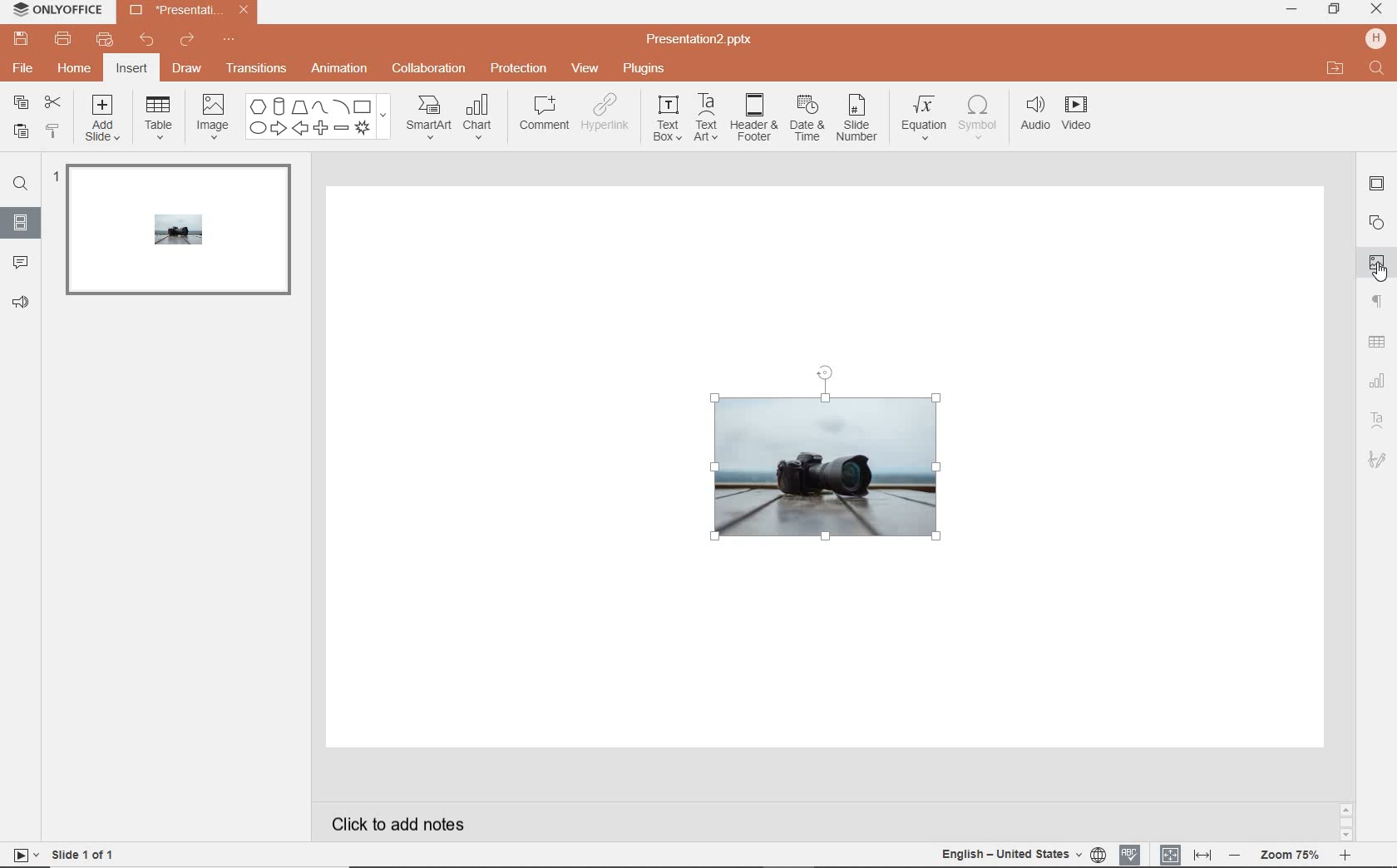 The image size is (1397, 868). What do you see at coordinates (21, 303) in the screenshot?
I see `feedback & support` at bounding box center [21, 303].